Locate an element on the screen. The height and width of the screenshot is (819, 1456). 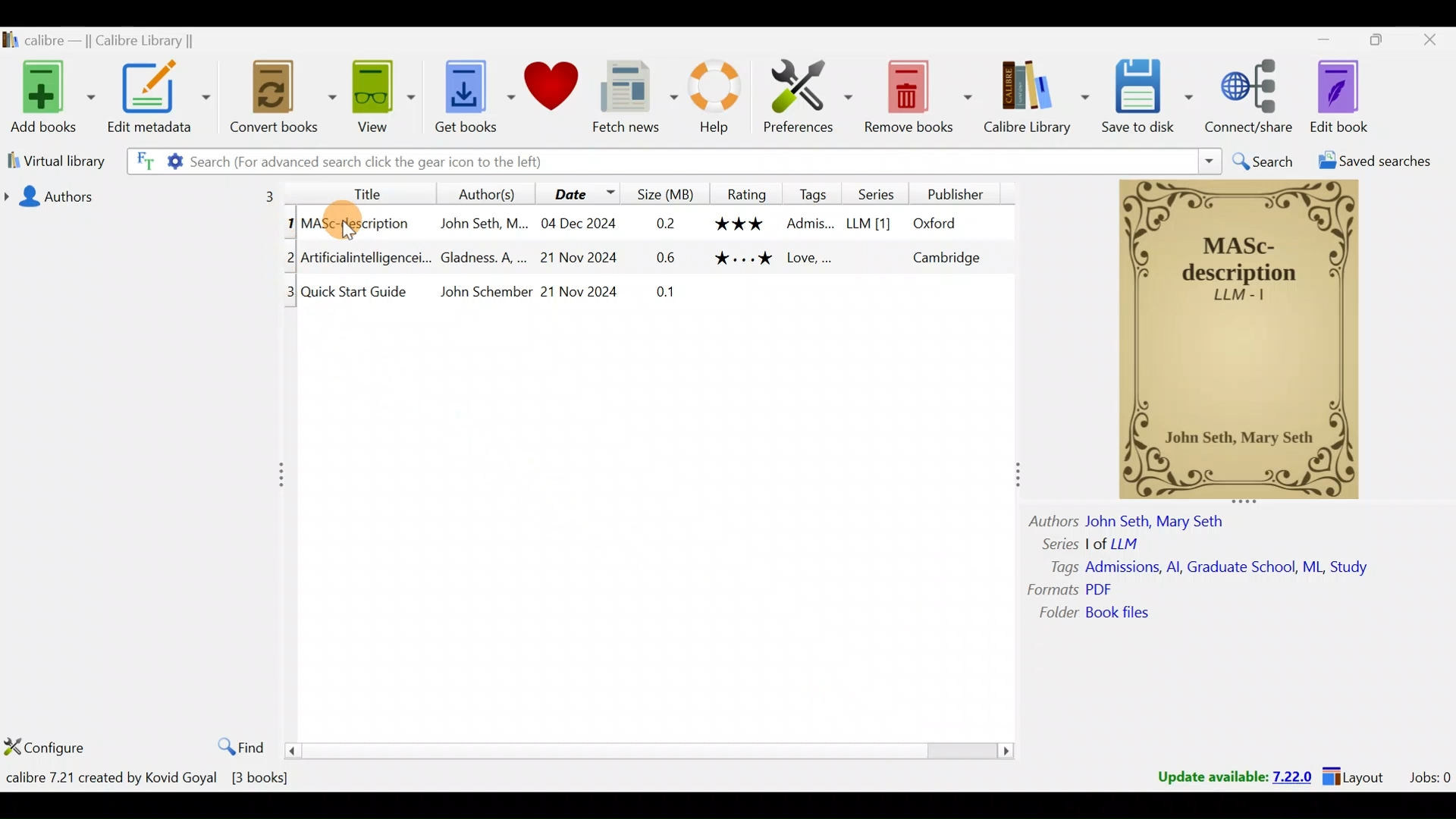
Calibre library is located at coordinates (121, 42).